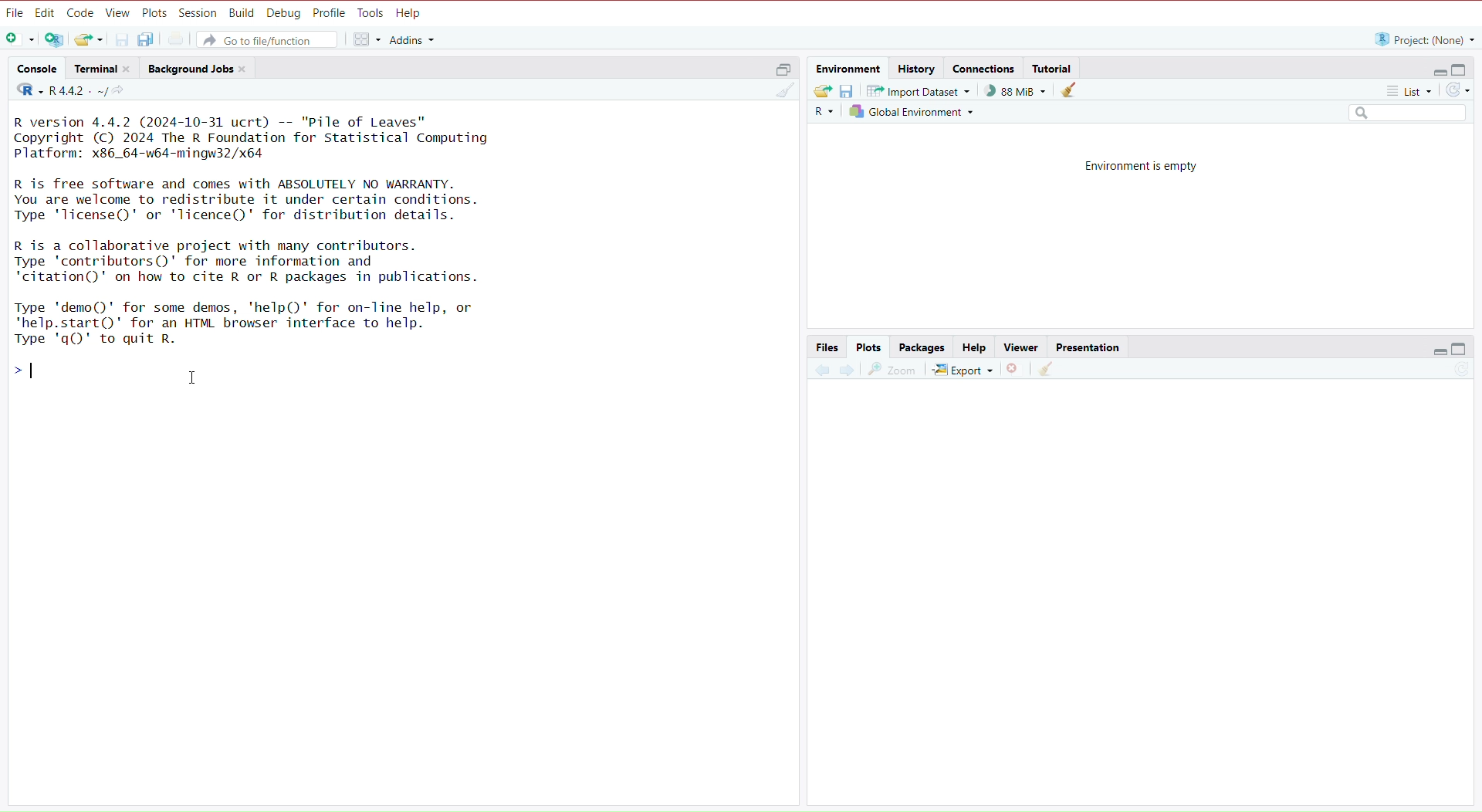 Image resolution: width=1482 pixels, height=812 pixels. What do you see at coordinates (1461, 347) in the screenshot?
I see `Full Height` at bounding box center [1461, 347].